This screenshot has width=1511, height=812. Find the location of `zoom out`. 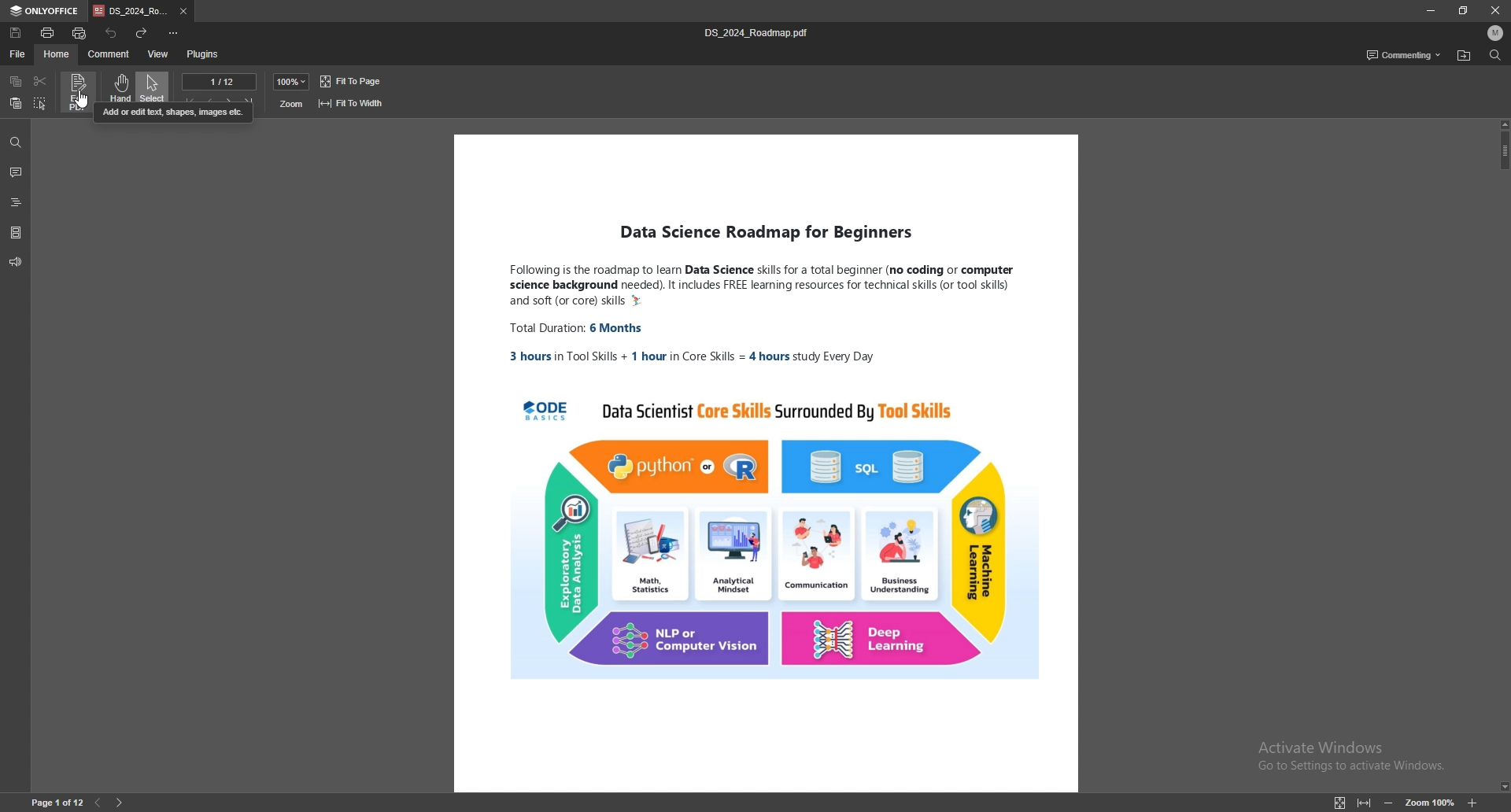

zoom out is located at coordinates (1388, 803).